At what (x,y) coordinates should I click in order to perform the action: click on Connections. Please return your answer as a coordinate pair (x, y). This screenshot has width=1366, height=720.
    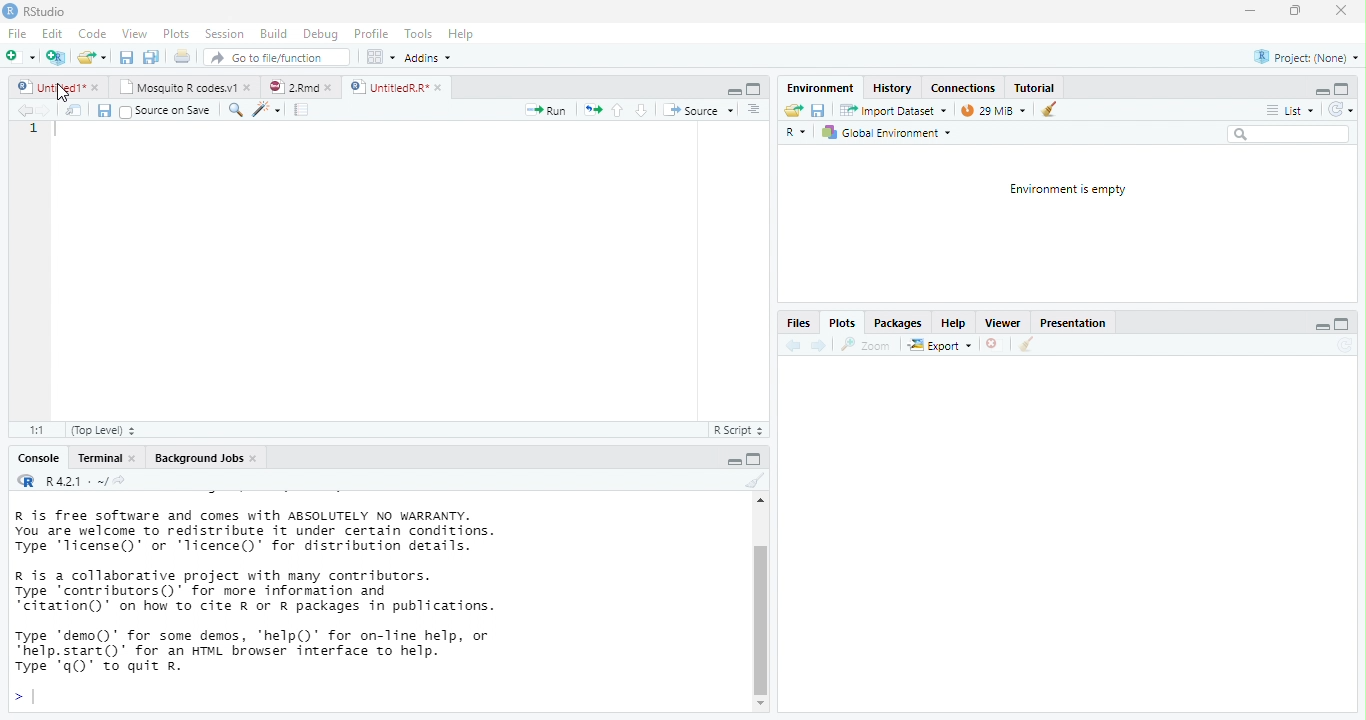
    Looking at the image, I should click on (962, 88).